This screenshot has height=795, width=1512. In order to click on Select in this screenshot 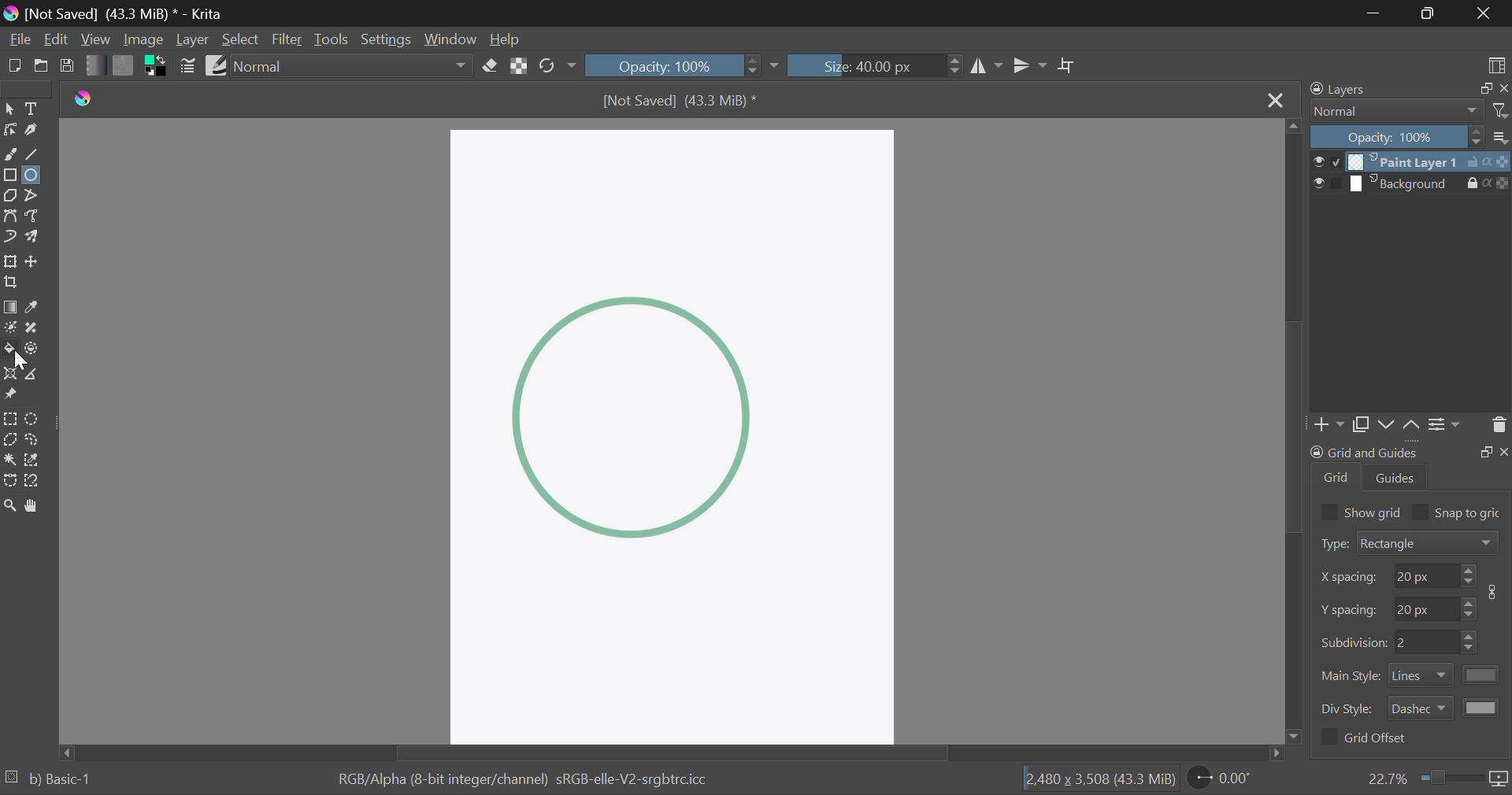, I will do `click(10, 109)`.